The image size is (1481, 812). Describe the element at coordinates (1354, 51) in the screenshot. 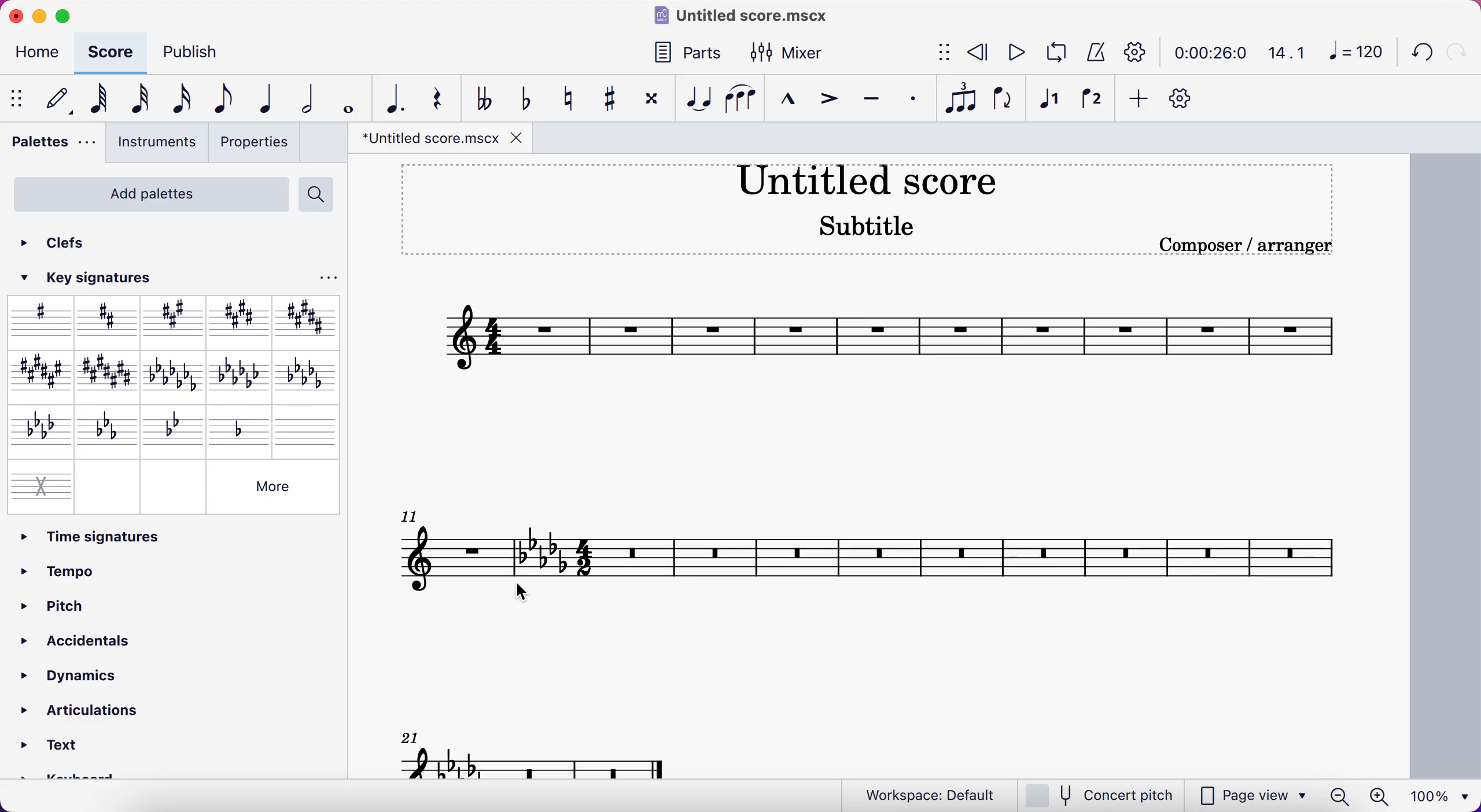

I see `120` at that location.